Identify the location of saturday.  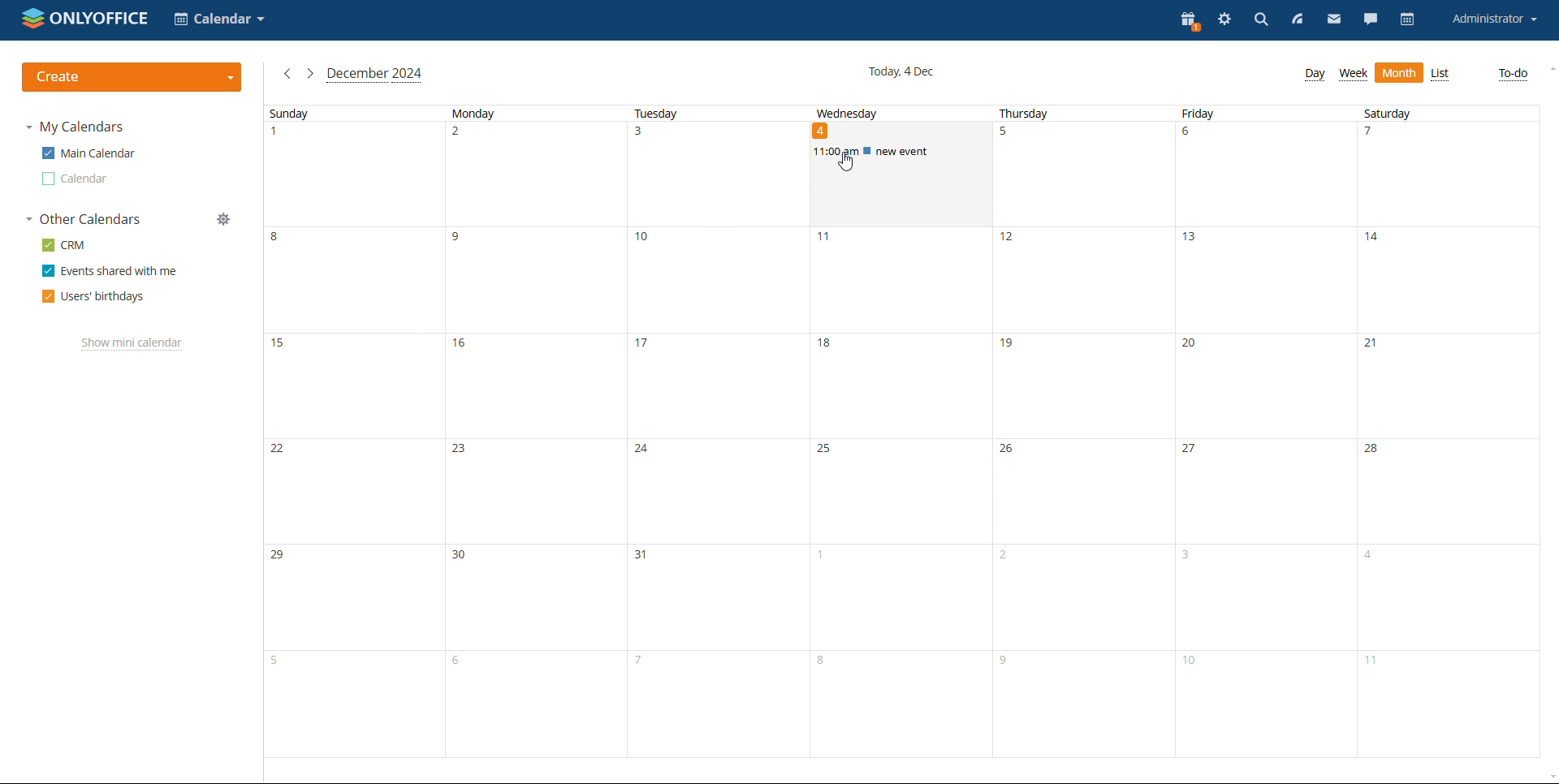
(1445, 431).